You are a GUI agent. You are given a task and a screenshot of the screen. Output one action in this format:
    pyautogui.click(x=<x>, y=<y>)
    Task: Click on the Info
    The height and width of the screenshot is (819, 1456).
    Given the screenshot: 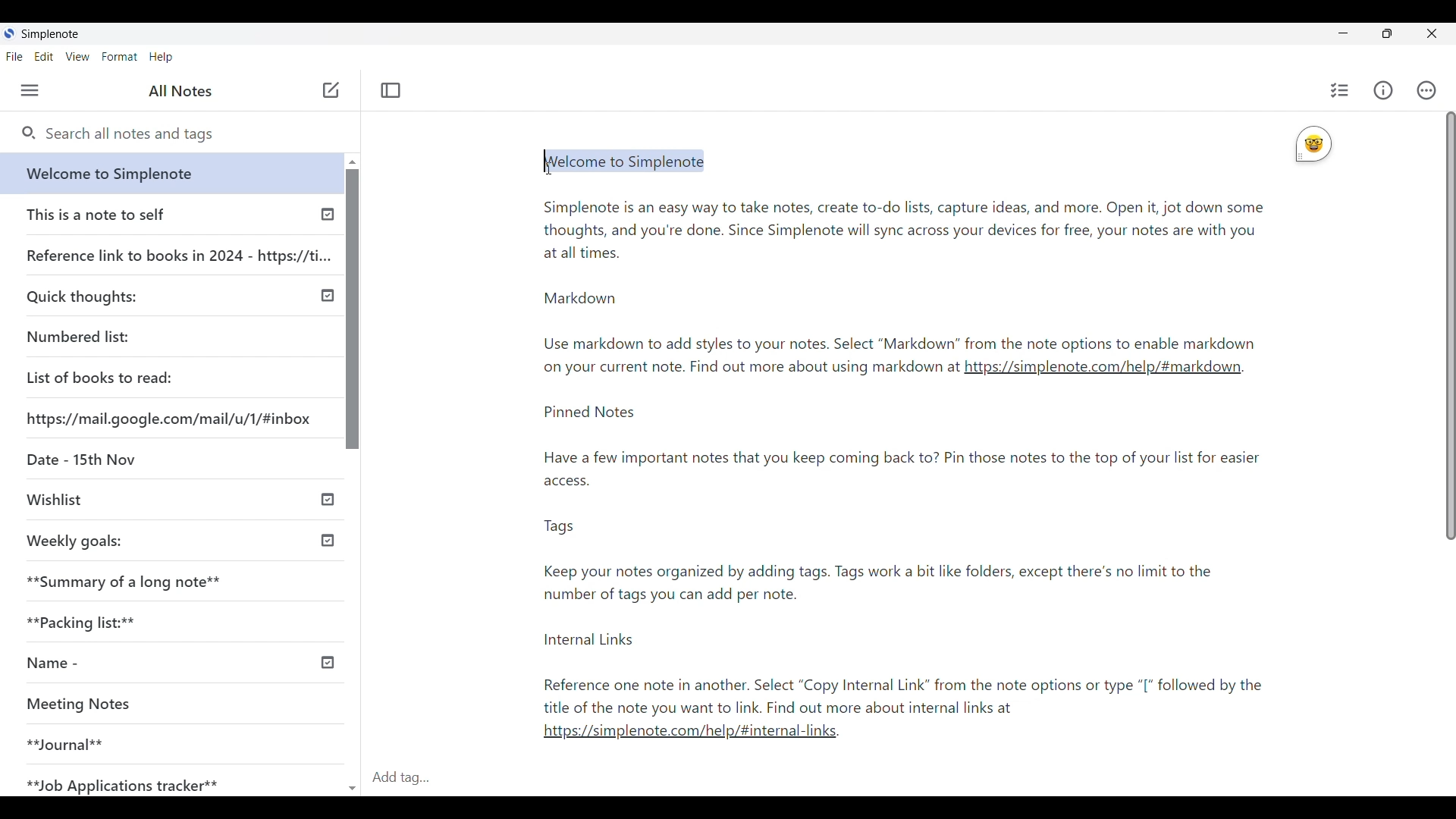 What is the action you would take?
    pyautogui.click(x=1383, y=90)
    